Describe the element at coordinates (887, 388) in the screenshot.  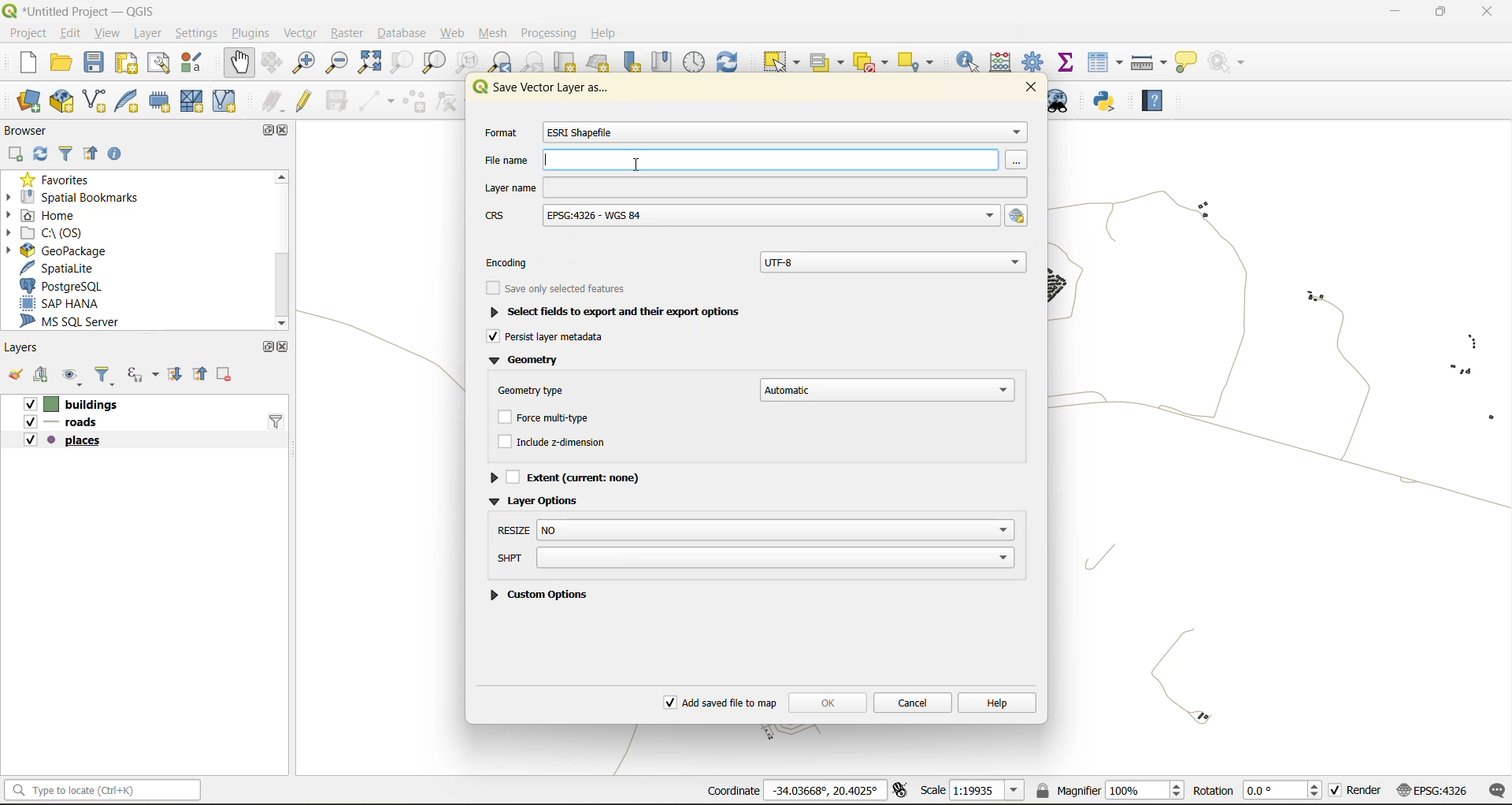
I see `automatic` at that location.